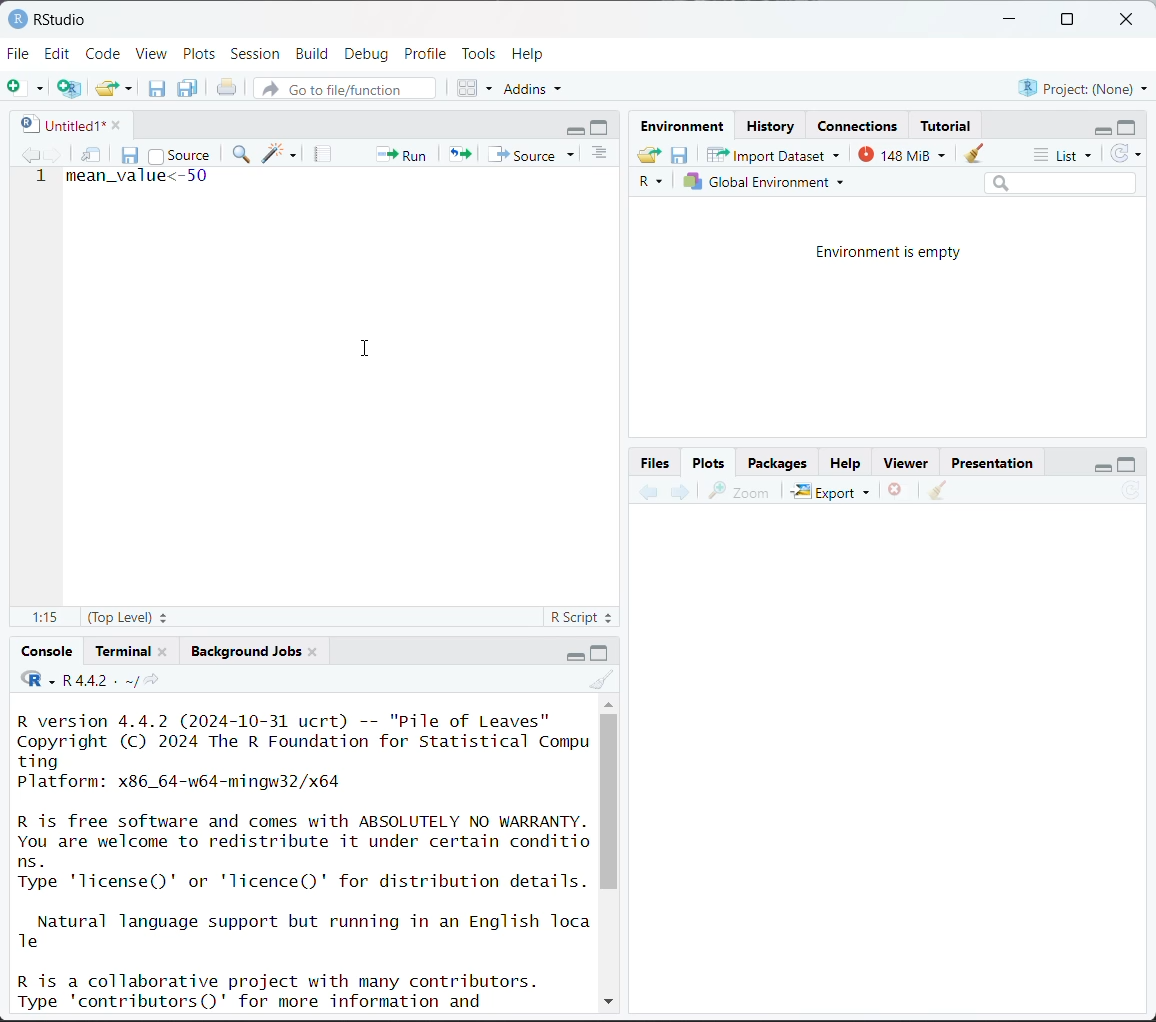  Describe the element at coordinates (458, 153) in the screenshot. I see `re-run` at that location.